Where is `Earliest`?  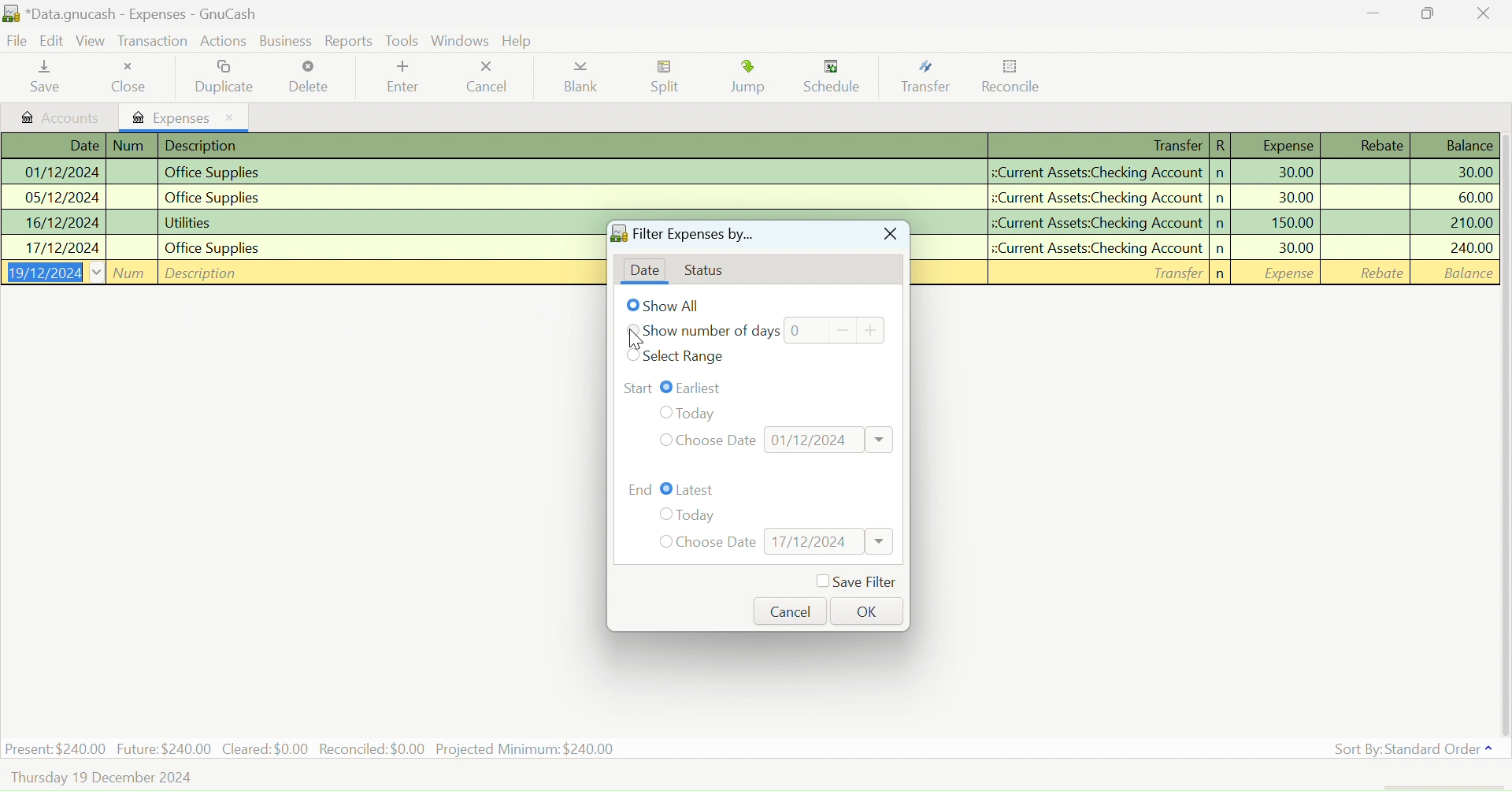
Earliest is located at coordinates (705, 387).